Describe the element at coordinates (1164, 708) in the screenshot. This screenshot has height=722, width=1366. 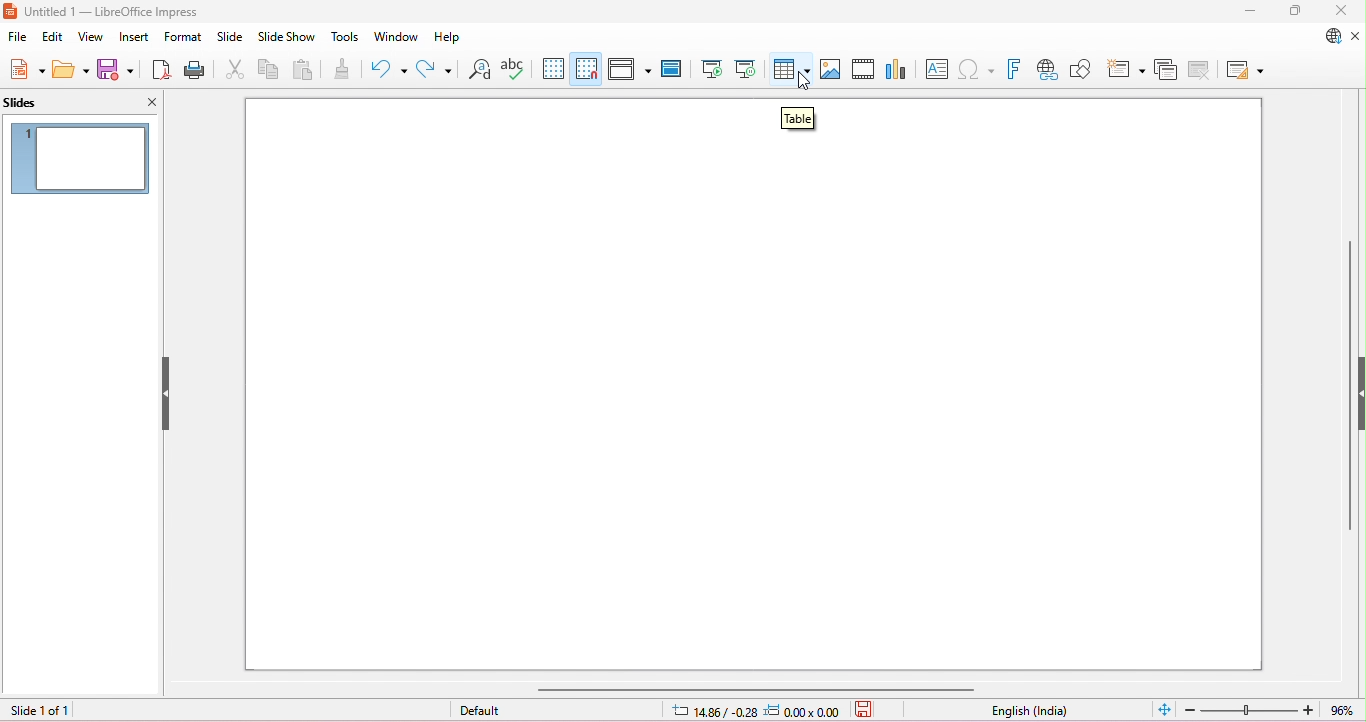
I see `fit slide to current window` at that location.